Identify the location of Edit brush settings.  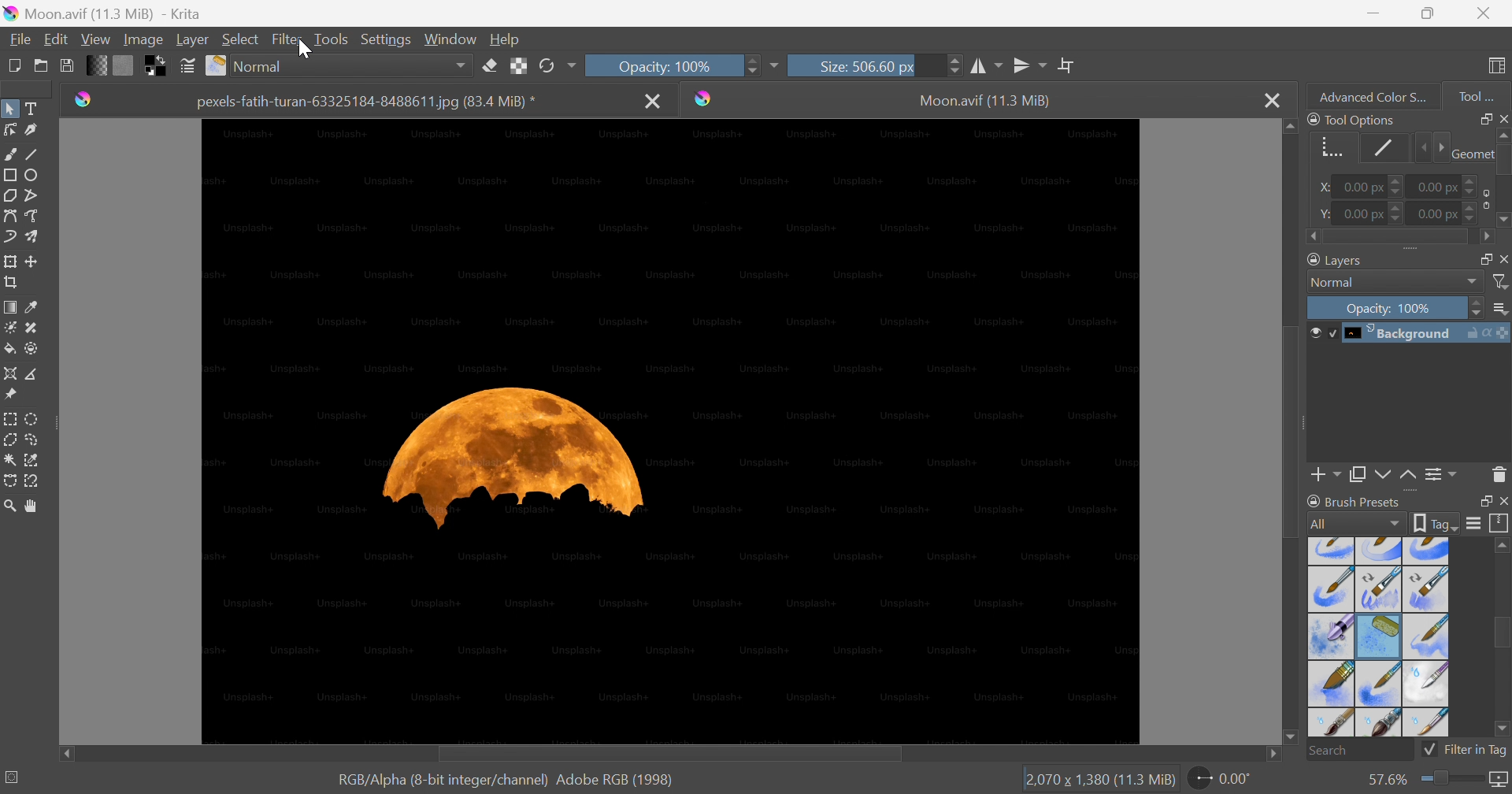
(185, 64).